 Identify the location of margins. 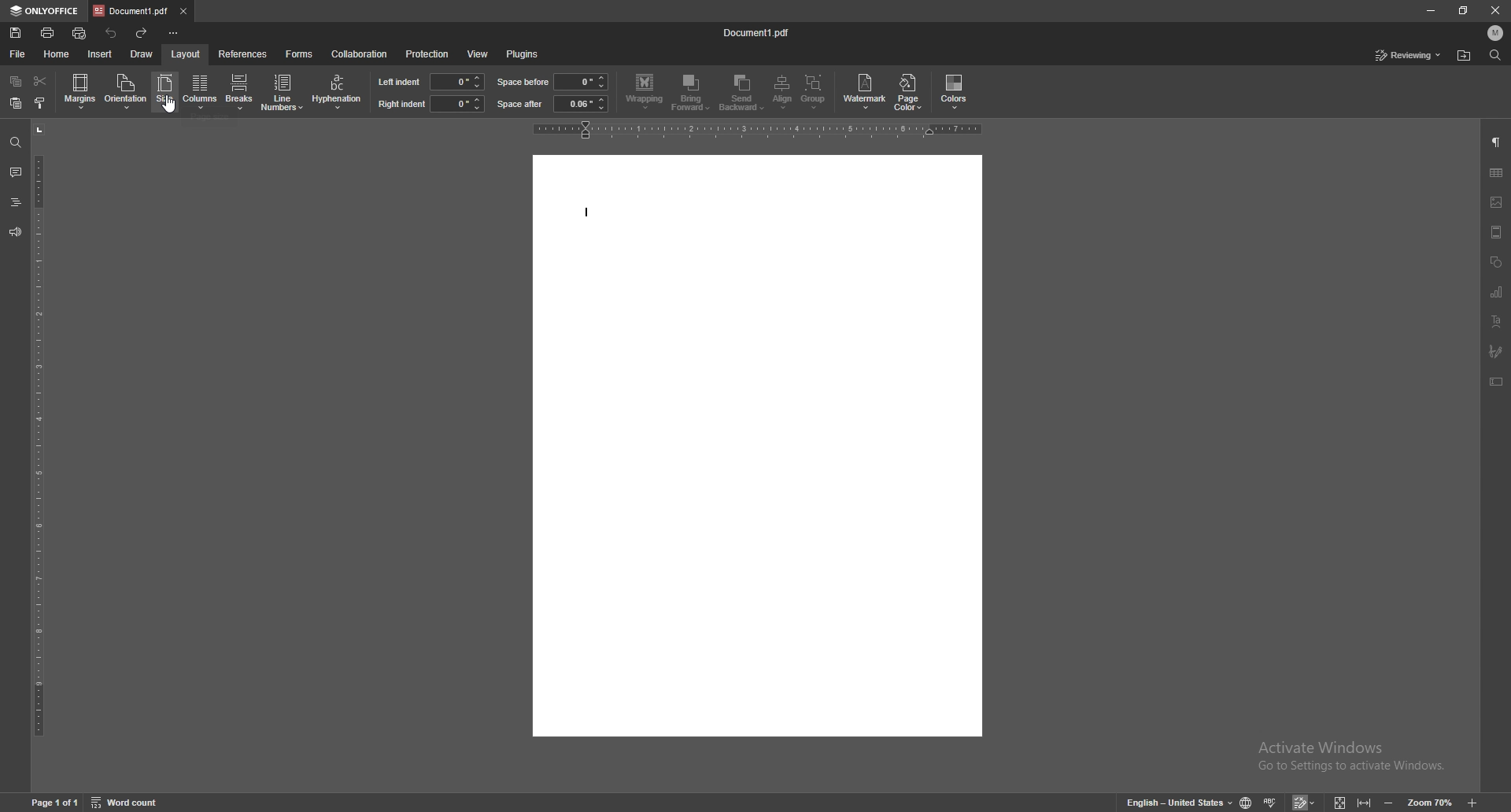
(81, 90).